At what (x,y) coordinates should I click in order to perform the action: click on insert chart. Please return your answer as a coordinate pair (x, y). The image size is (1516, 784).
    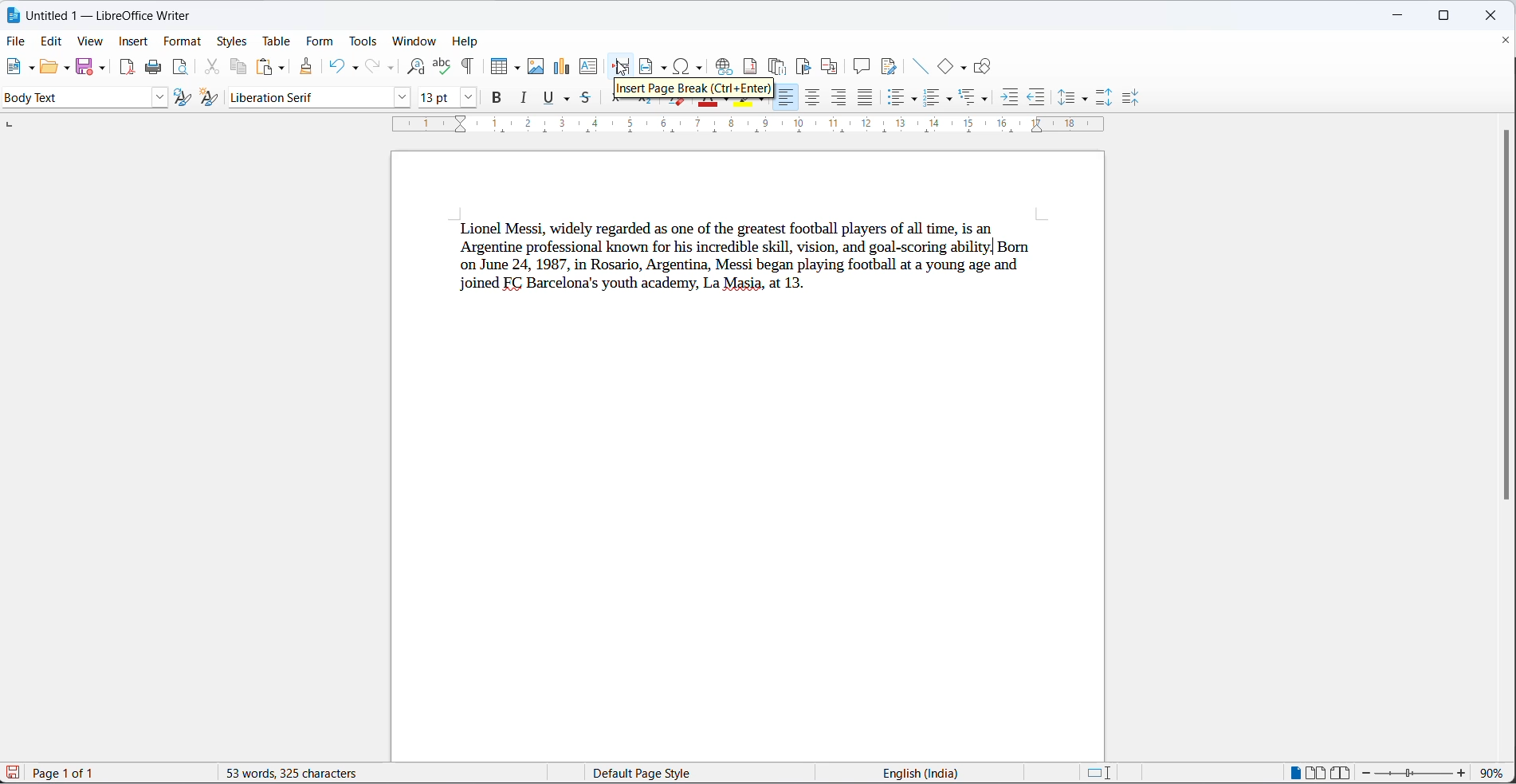
    Looking at the image, I should click on (563, 67).